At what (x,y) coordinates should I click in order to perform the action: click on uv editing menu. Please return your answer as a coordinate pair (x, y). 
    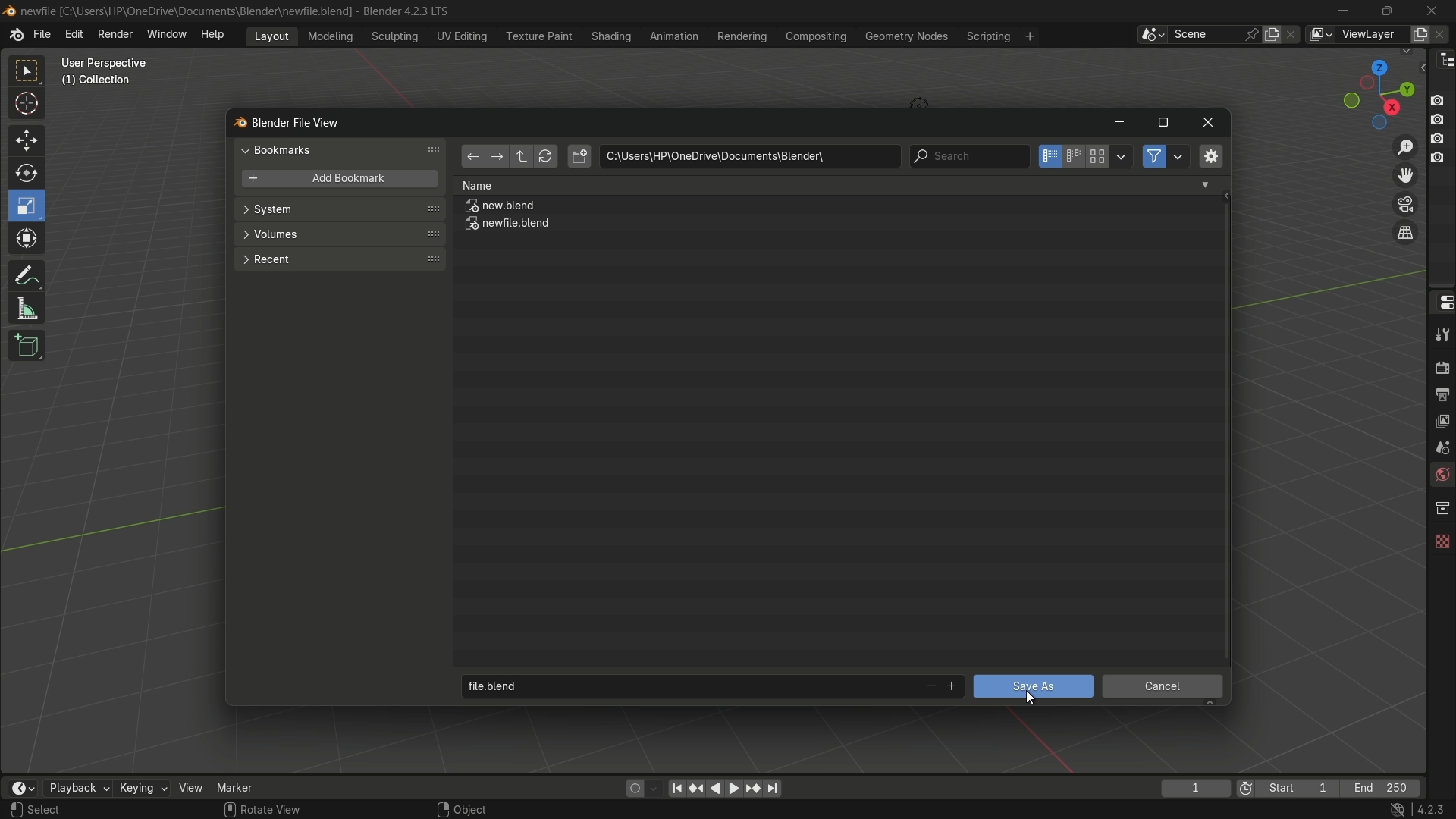
    Looking at the image, I should click on (462, 36).